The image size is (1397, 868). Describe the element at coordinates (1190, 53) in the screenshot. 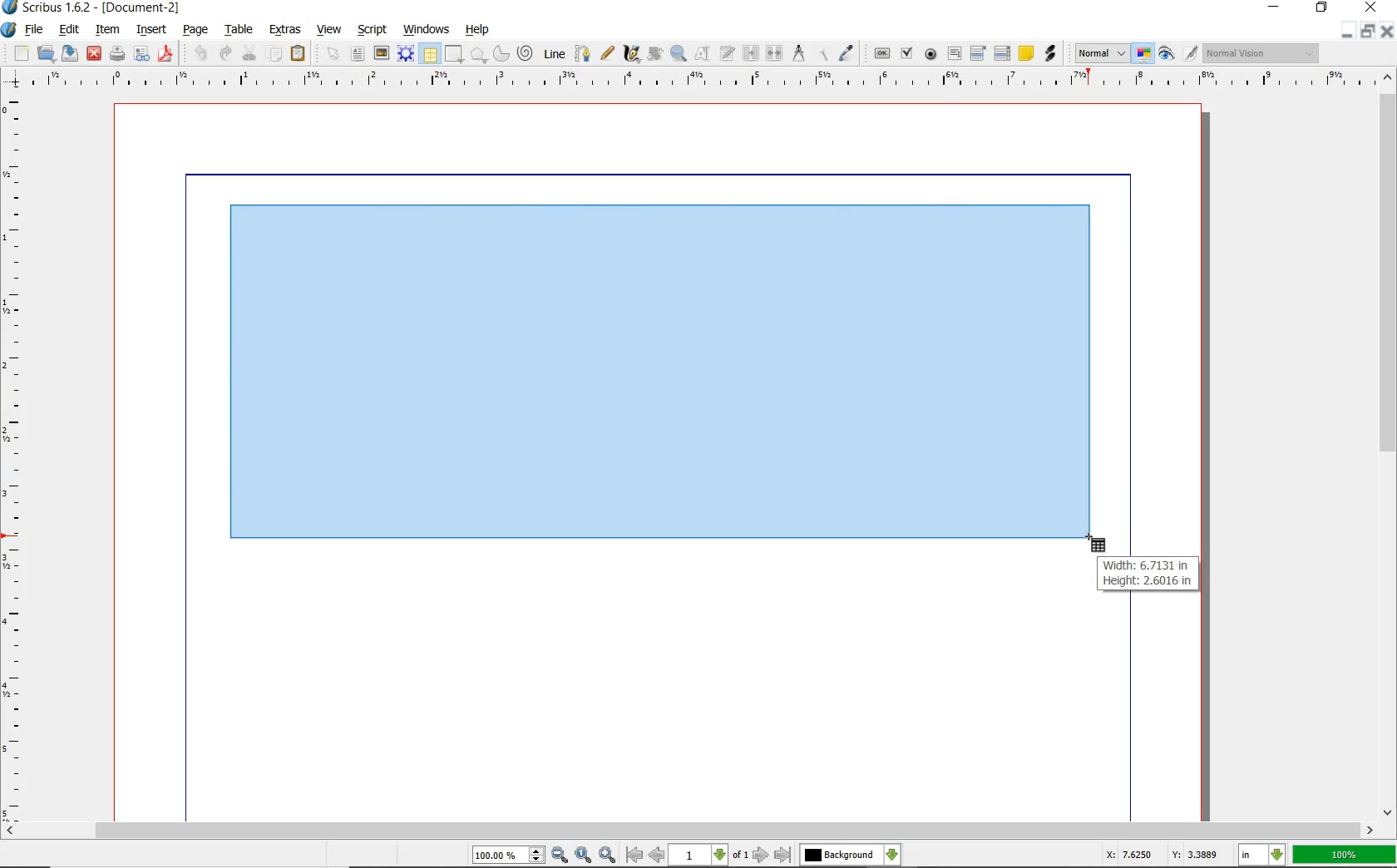

I see `edit in preview mode` at that location.